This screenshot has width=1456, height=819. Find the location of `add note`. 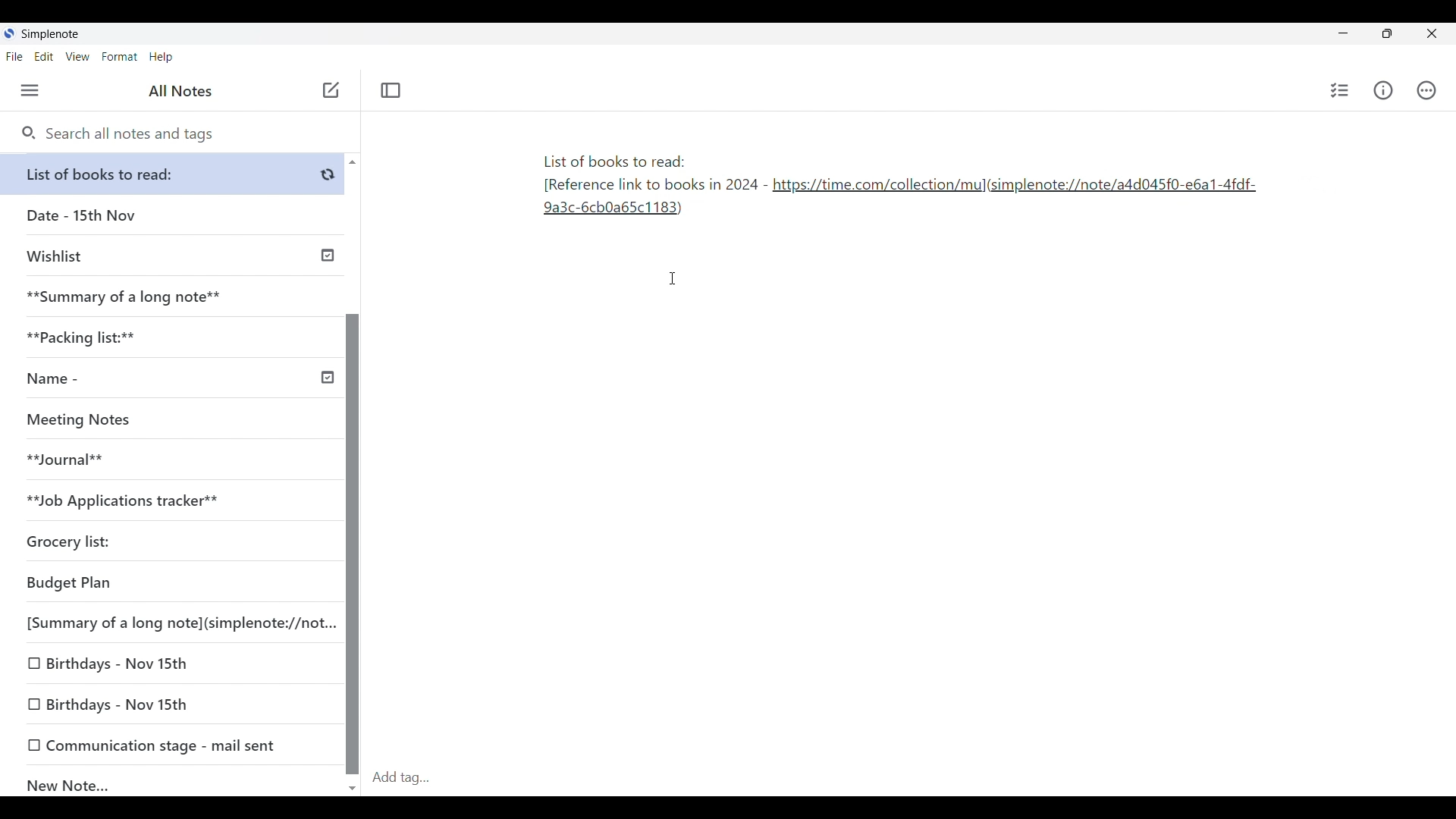

add note is located at coordinates (329, 89).